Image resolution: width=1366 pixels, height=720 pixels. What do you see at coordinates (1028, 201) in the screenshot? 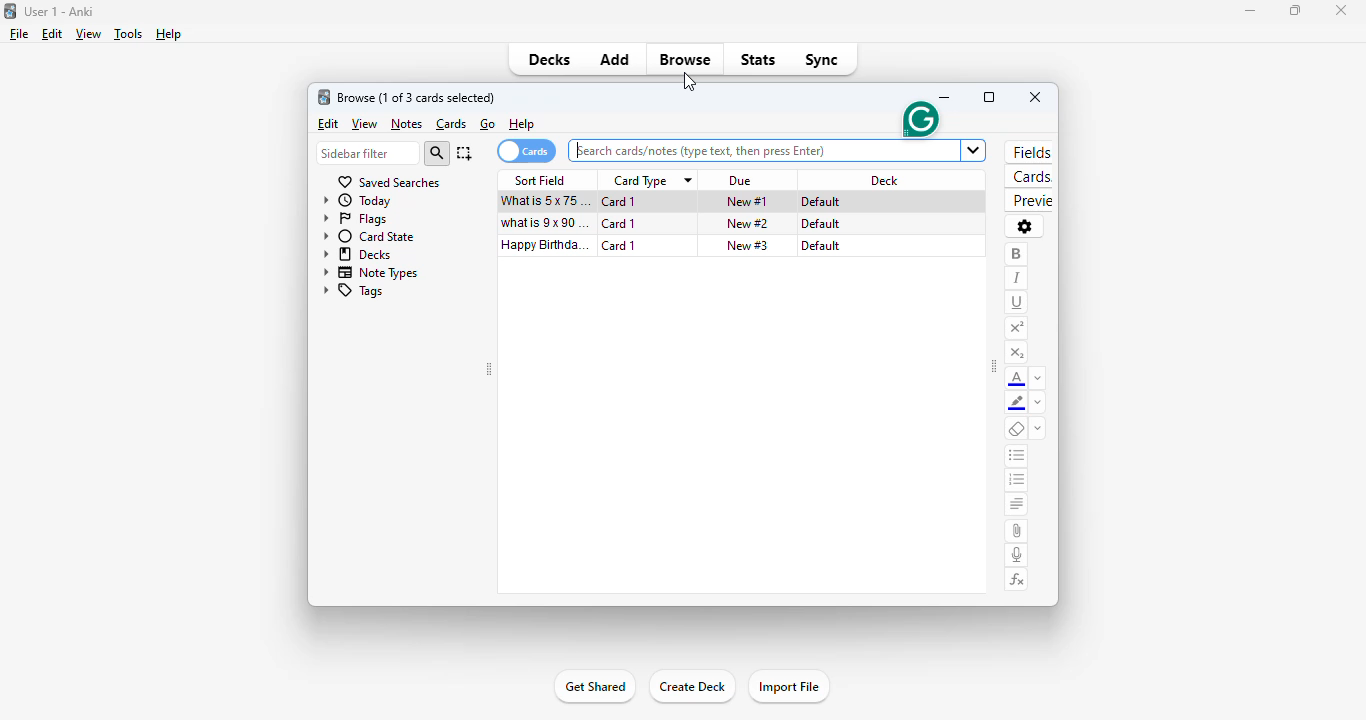
I see `preview` at bounding box center [1028, 201].